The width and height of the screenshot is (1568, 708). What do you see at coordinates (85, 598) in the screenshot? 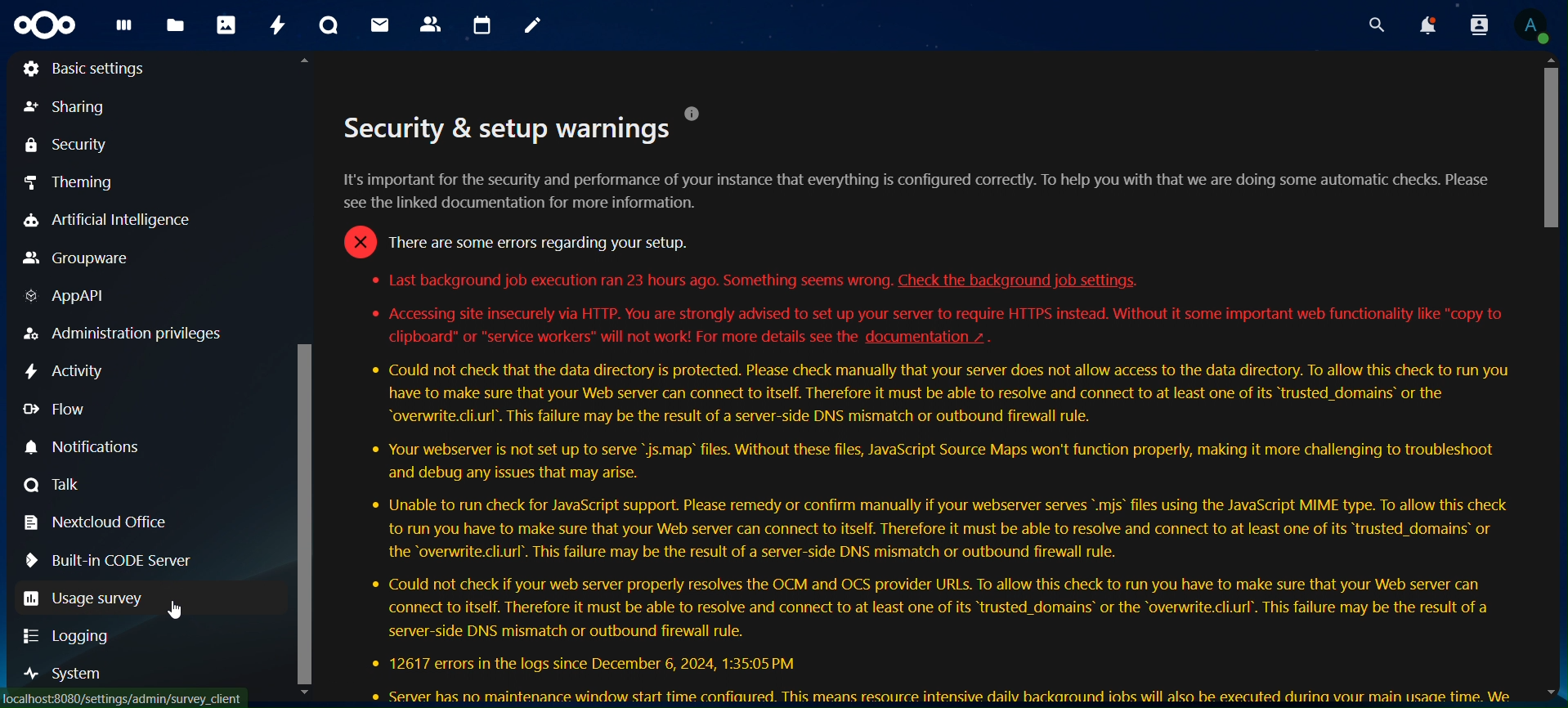
I see `usage survey` at bounding box center [85, 598].